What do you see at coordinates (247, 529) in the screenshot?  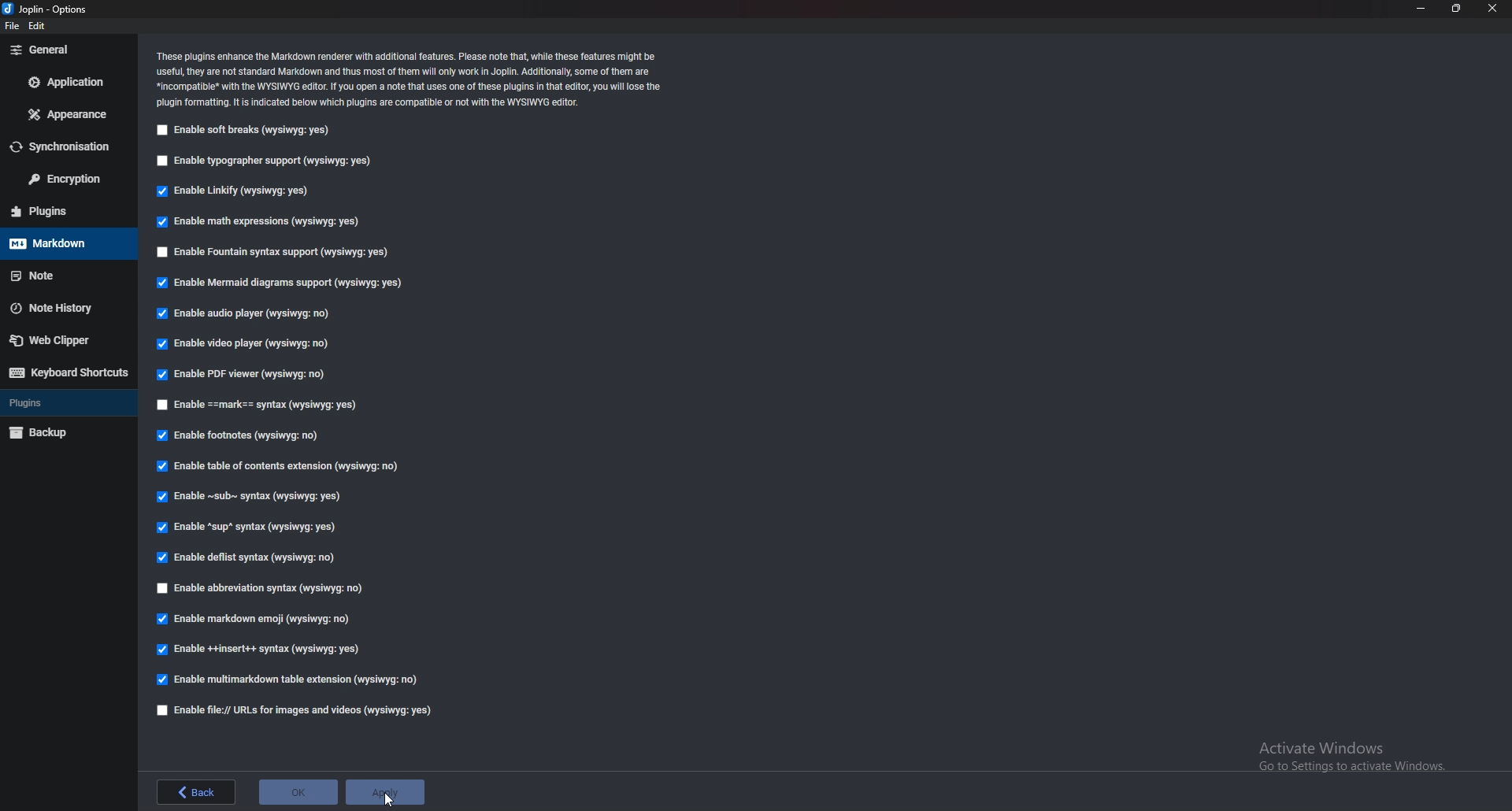 I see `enable sup syntax` at bounding box center [247, 529].